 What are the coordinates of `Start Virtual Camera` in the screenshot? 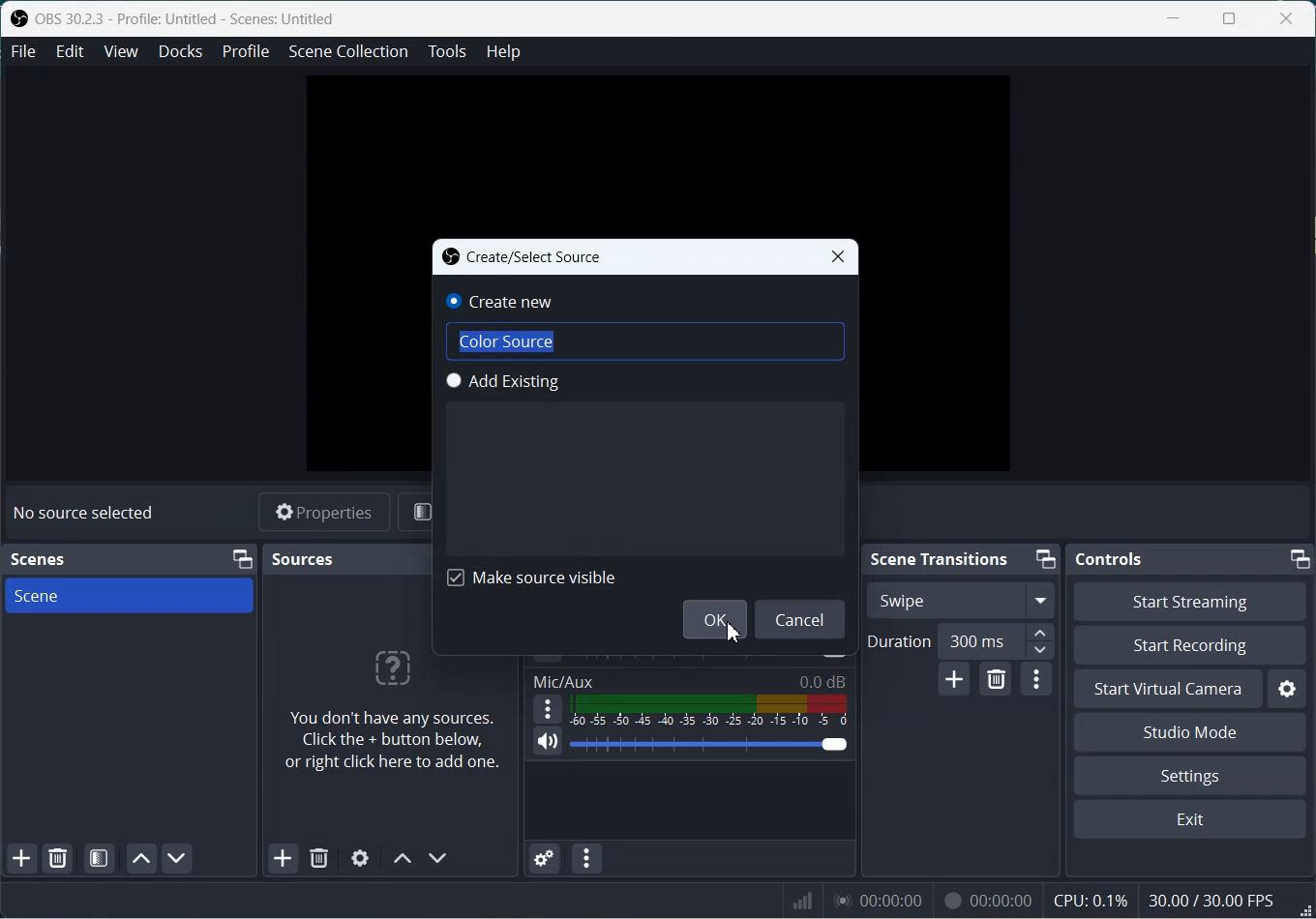 It's located at (1167, 690).